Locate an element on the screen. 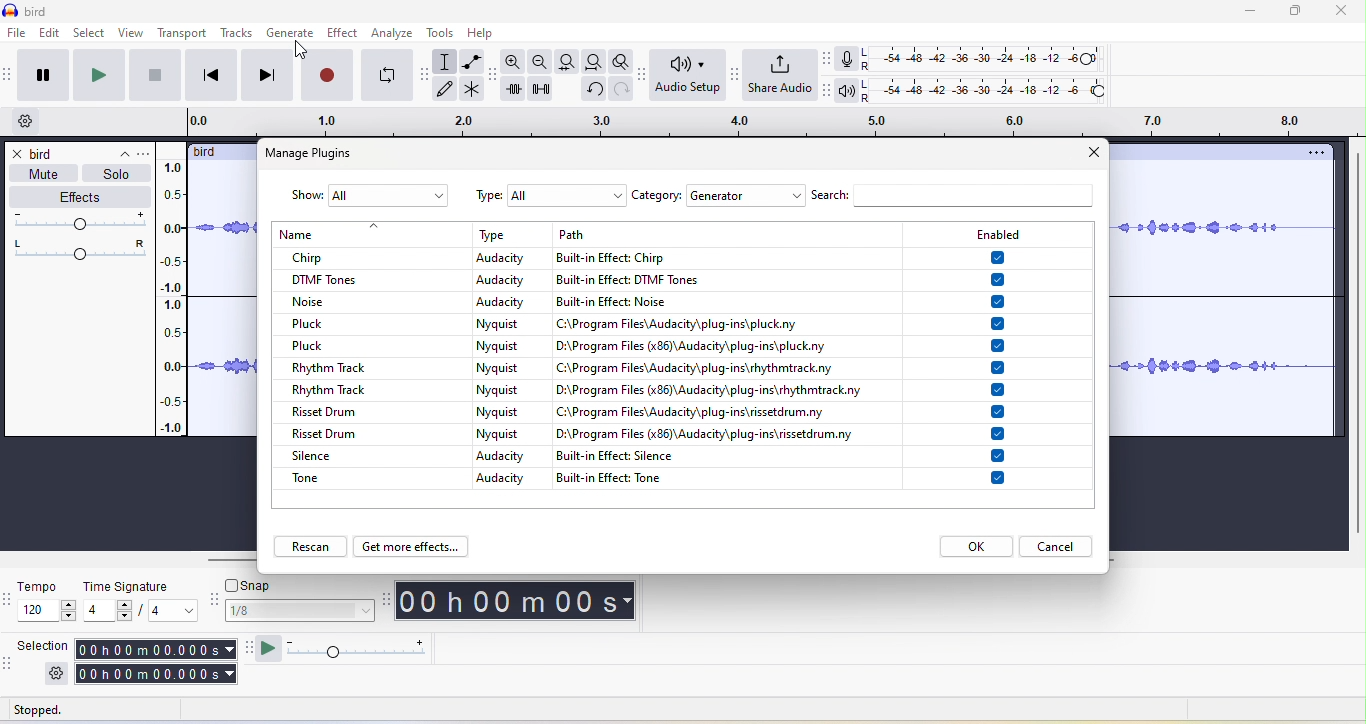 The width and height of the screenshot is (1366, 724). tone is located at coordinates (333, 477).